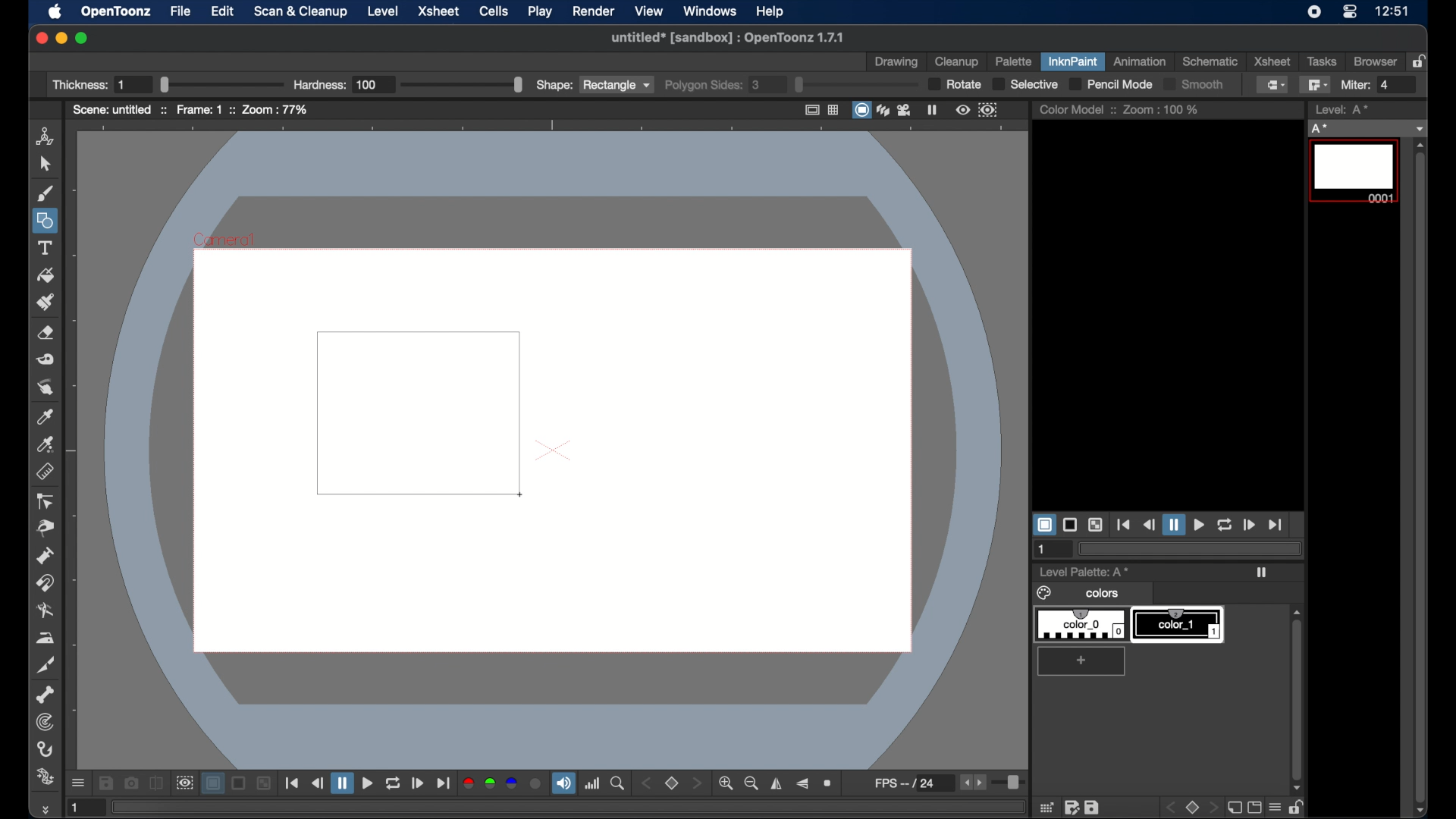  Describe the element at coordinates (520, 494) in the screenshot. I see `cursor` at that location.